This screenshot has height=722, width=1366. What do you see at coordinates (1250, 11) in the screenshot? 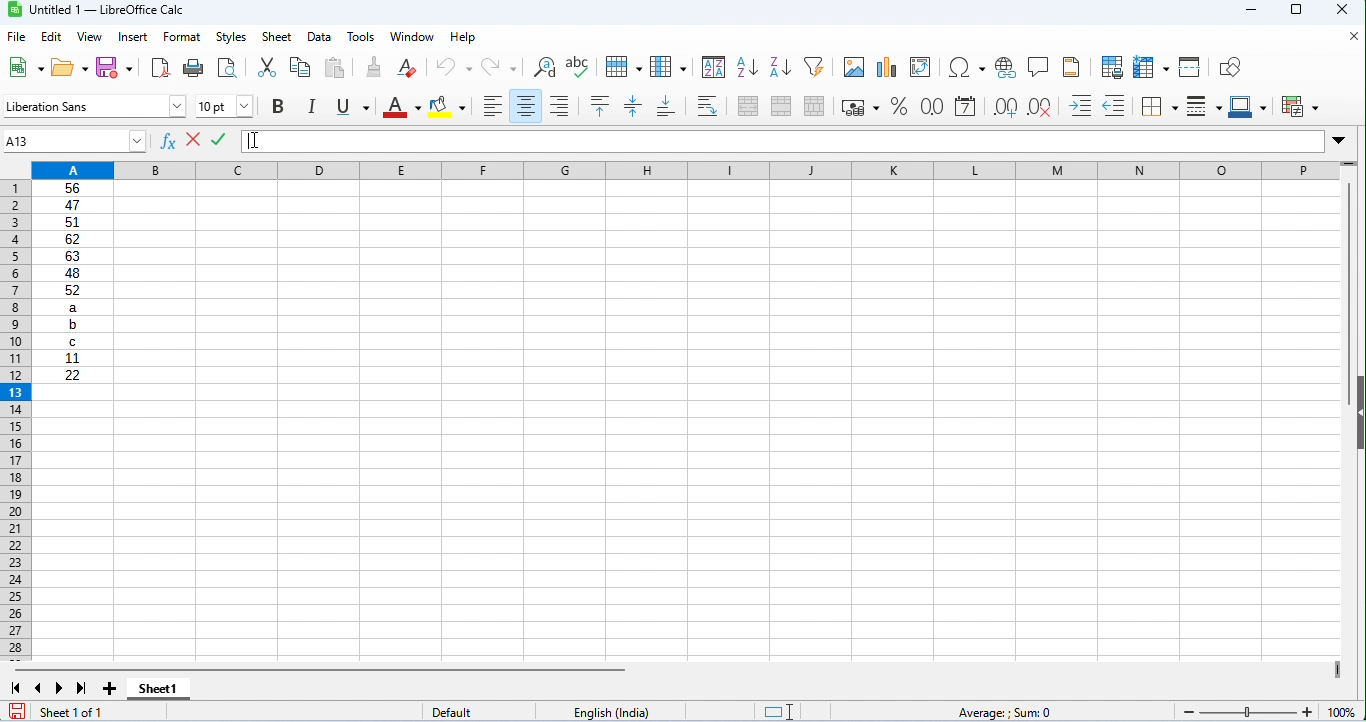
I see `minimize` at bounding box center [1250, 11].